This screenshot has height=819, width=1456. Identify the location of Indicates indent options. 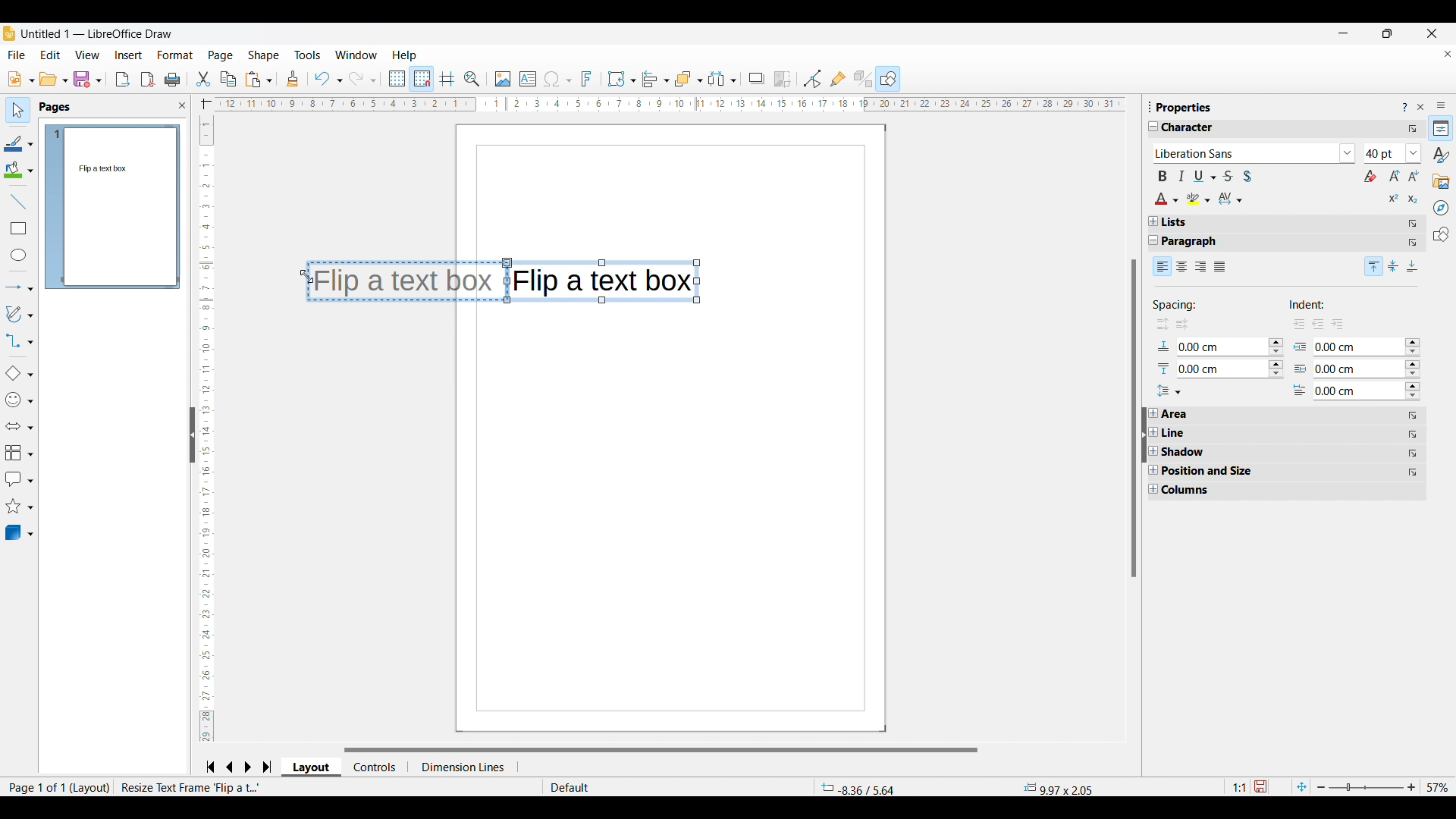
(1317, 306).